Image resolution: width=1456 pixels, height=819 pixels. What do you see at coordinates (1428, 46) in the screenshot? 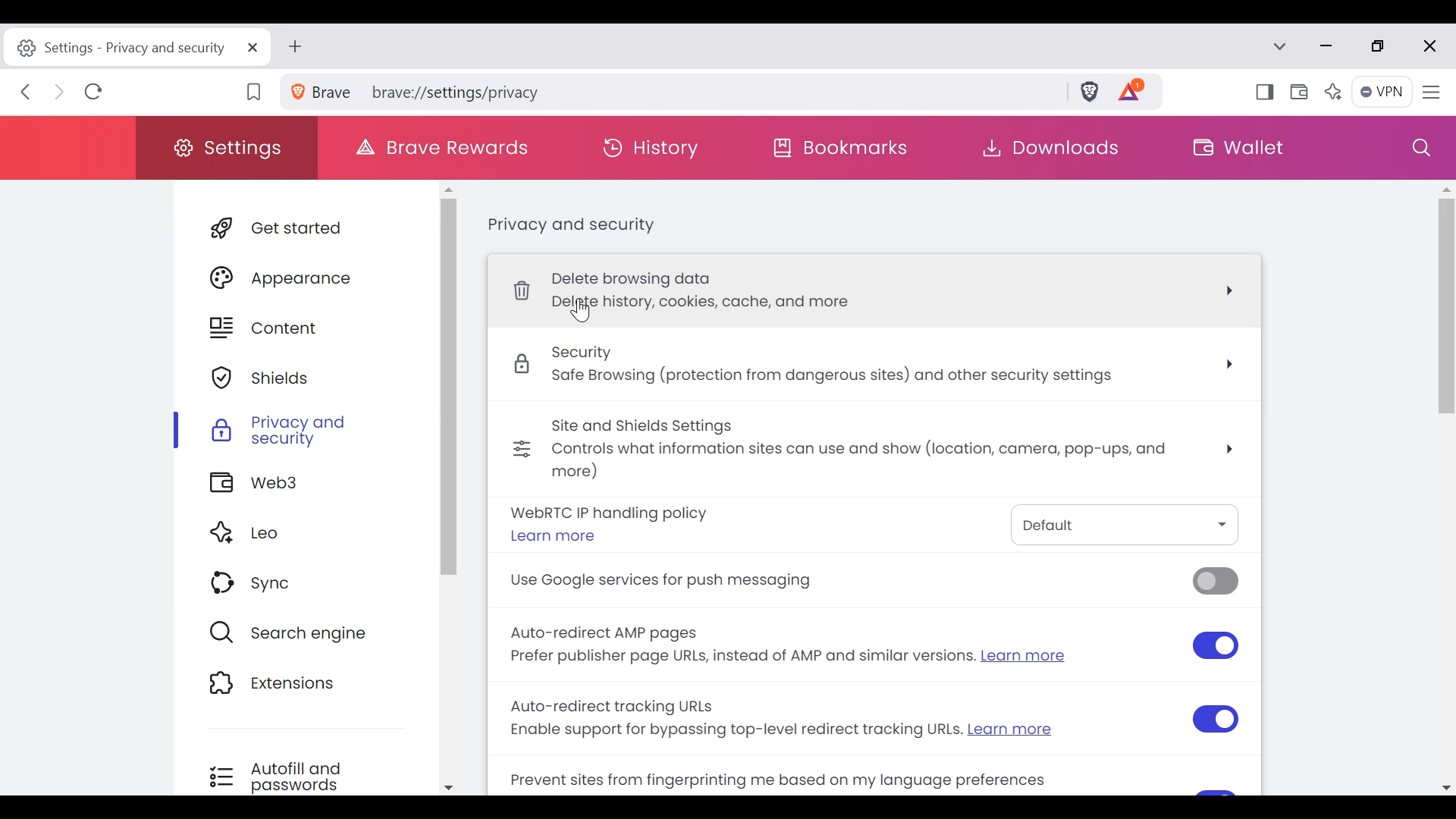
I see `close` at bounding box center [1428, 46].